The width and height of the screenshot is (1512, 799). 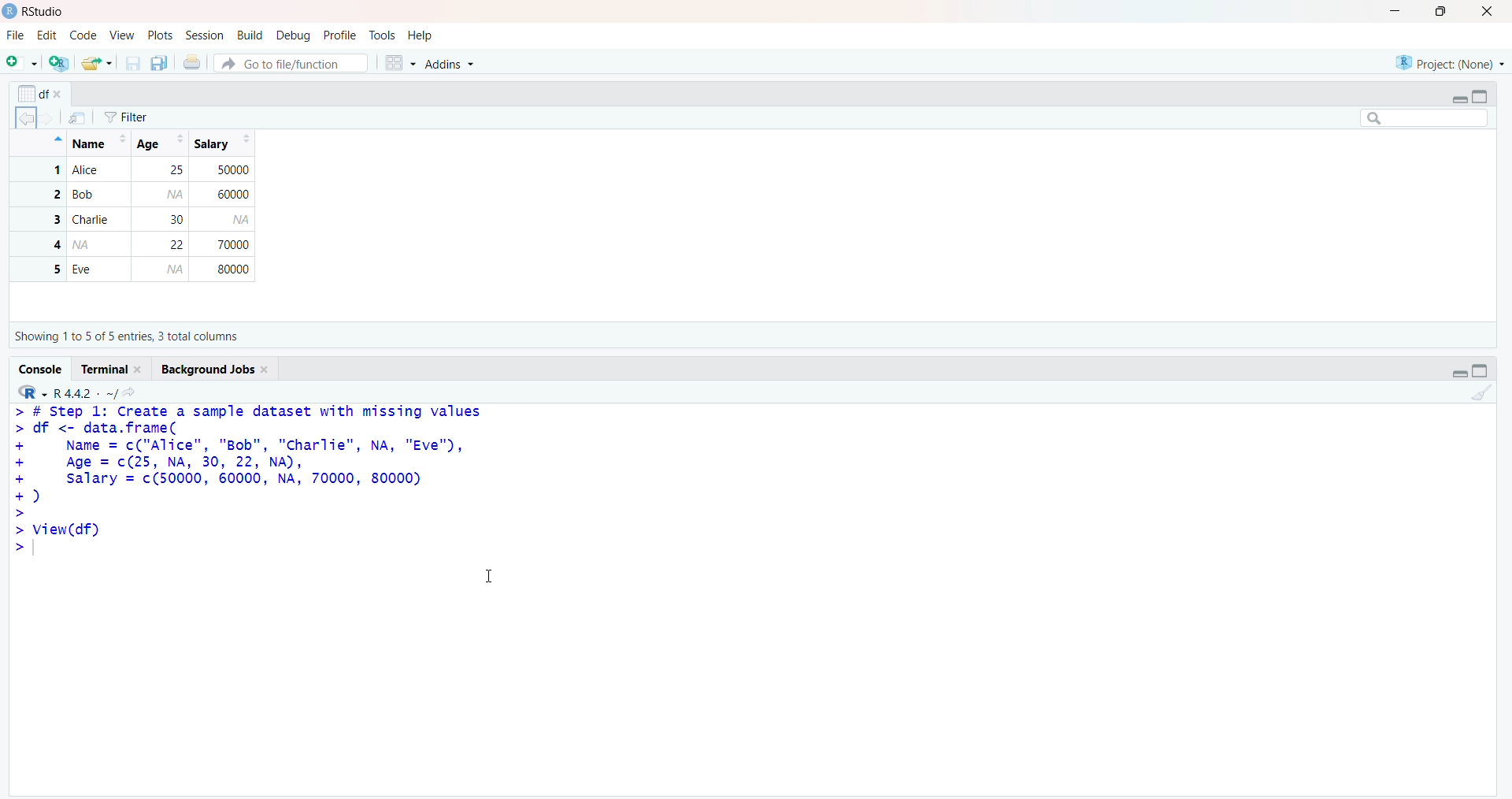 What do you see at coordinates (130, 336) in the screenshot?
I see `Showing 110 5 of 5 entries, 3 total columns.` at bounding box center [130, 336].